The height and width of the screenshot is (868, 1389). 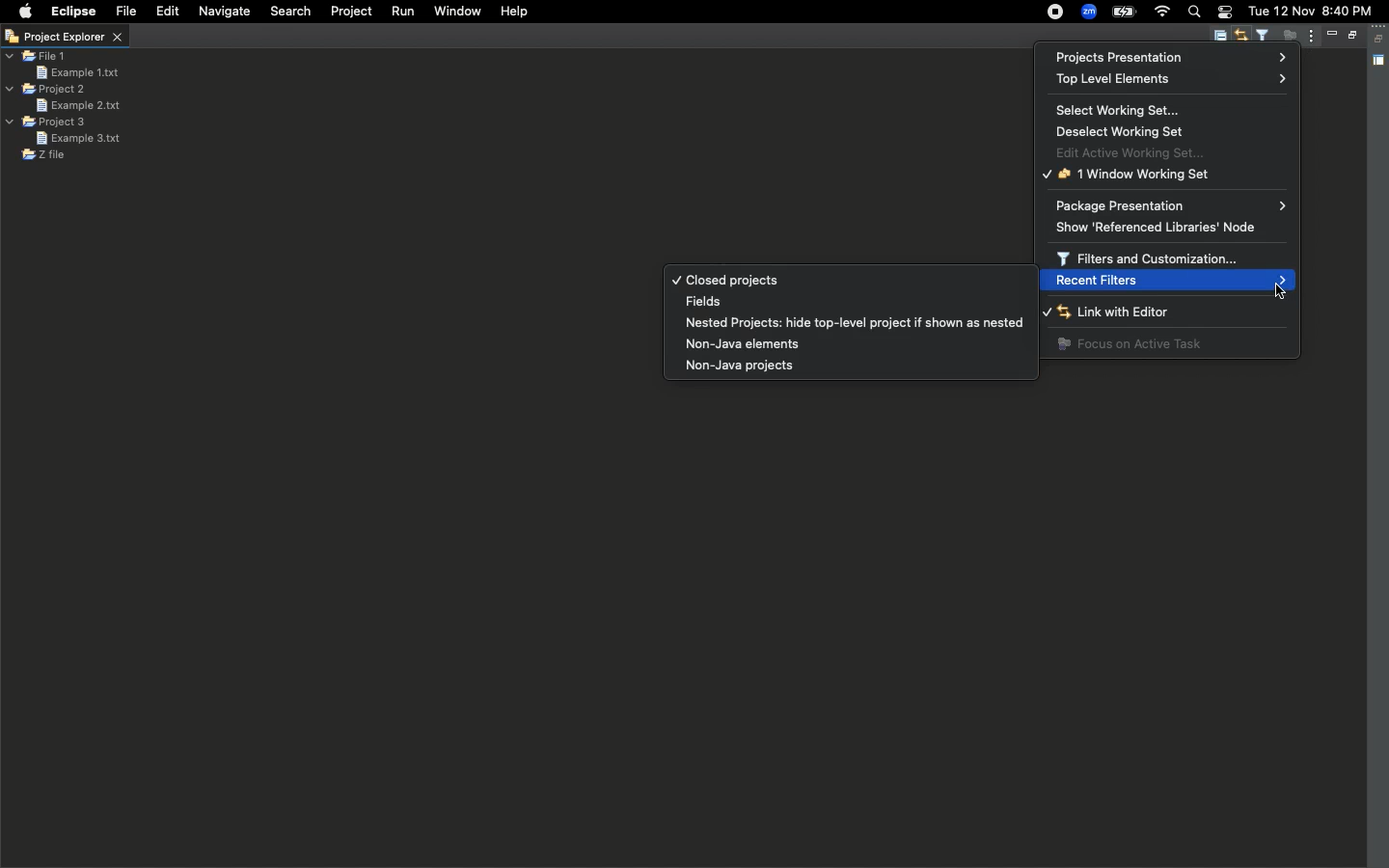 I want to click on tue 12 nov 8:40 pm , so click(x=1313, y=11).